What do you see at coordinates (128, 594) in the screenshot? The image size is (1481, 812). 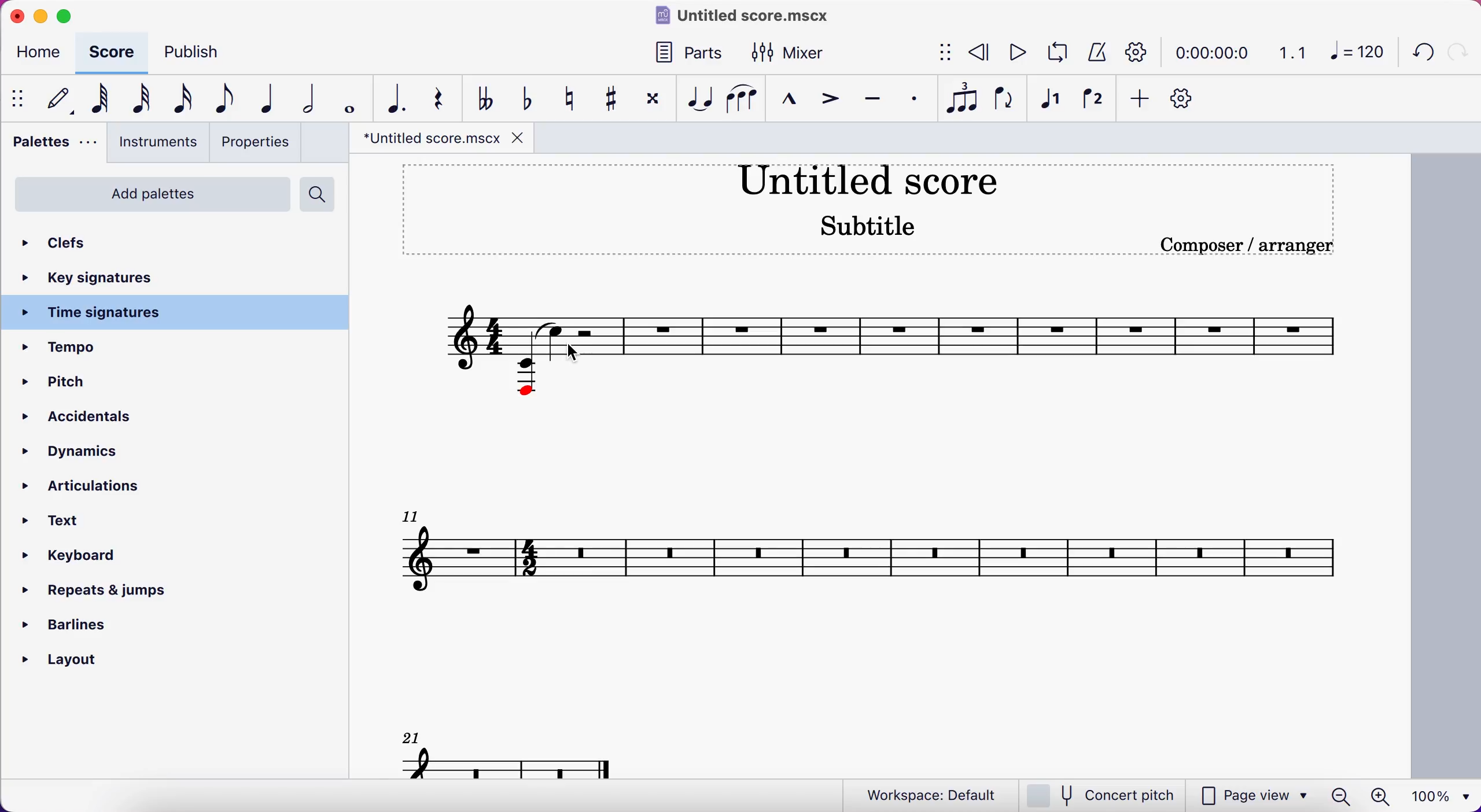 I see `repeats and jumps` at bounding box center [128, 594].